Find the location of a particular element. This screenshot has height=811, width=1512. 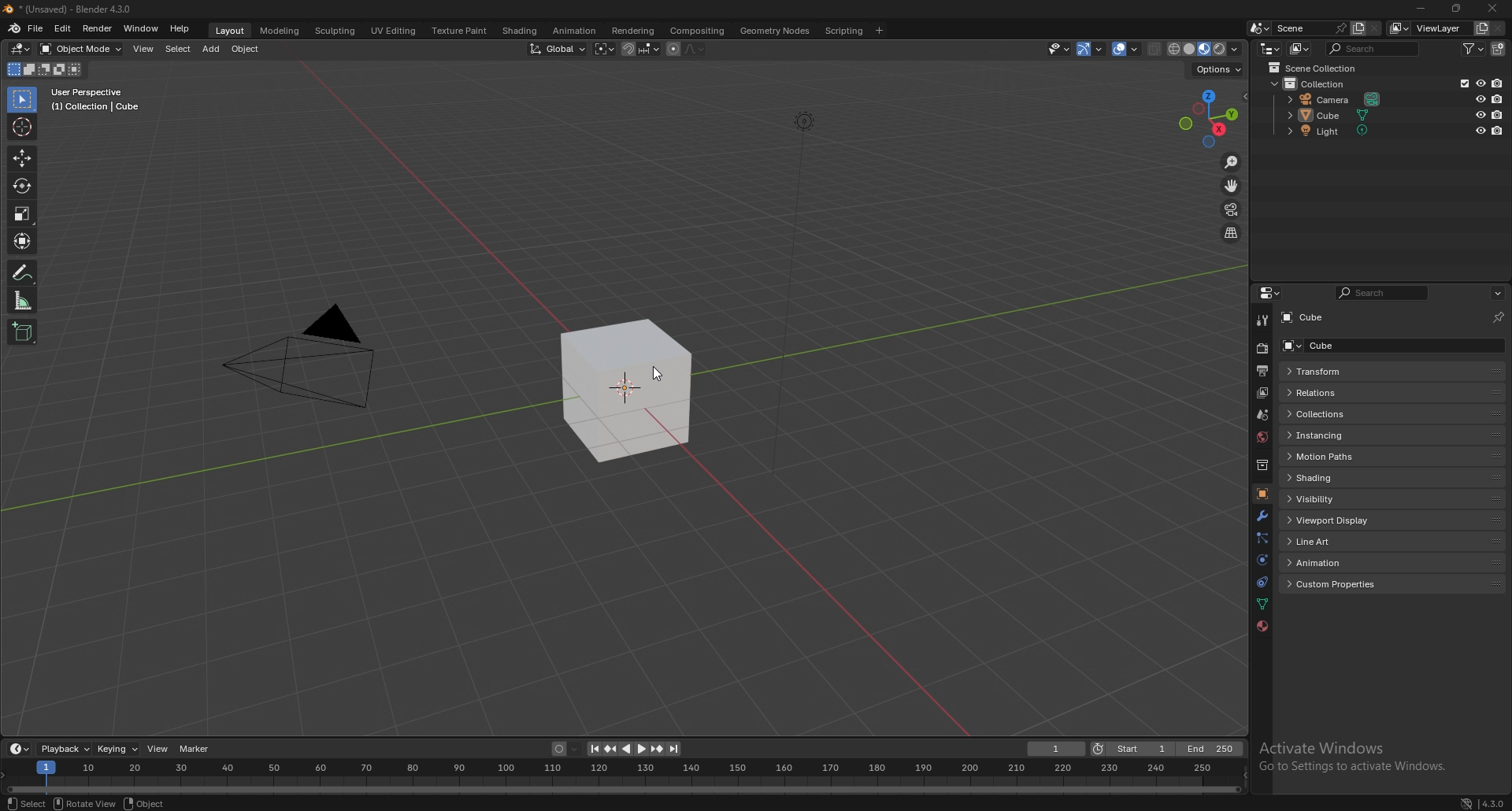

world is located at coordinates (1260, 437).